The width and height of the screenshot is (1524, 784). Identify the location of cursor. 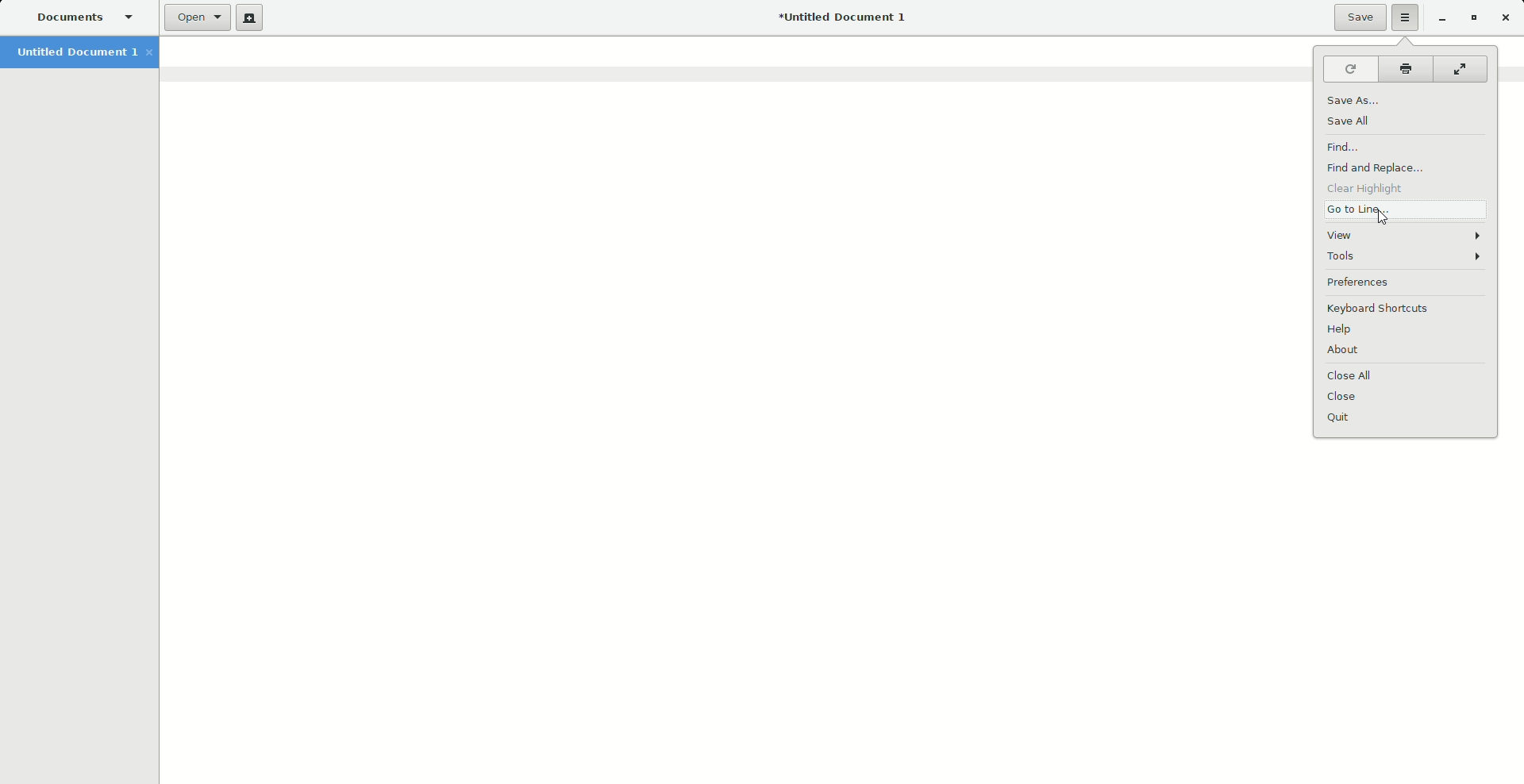
(1376, 216).